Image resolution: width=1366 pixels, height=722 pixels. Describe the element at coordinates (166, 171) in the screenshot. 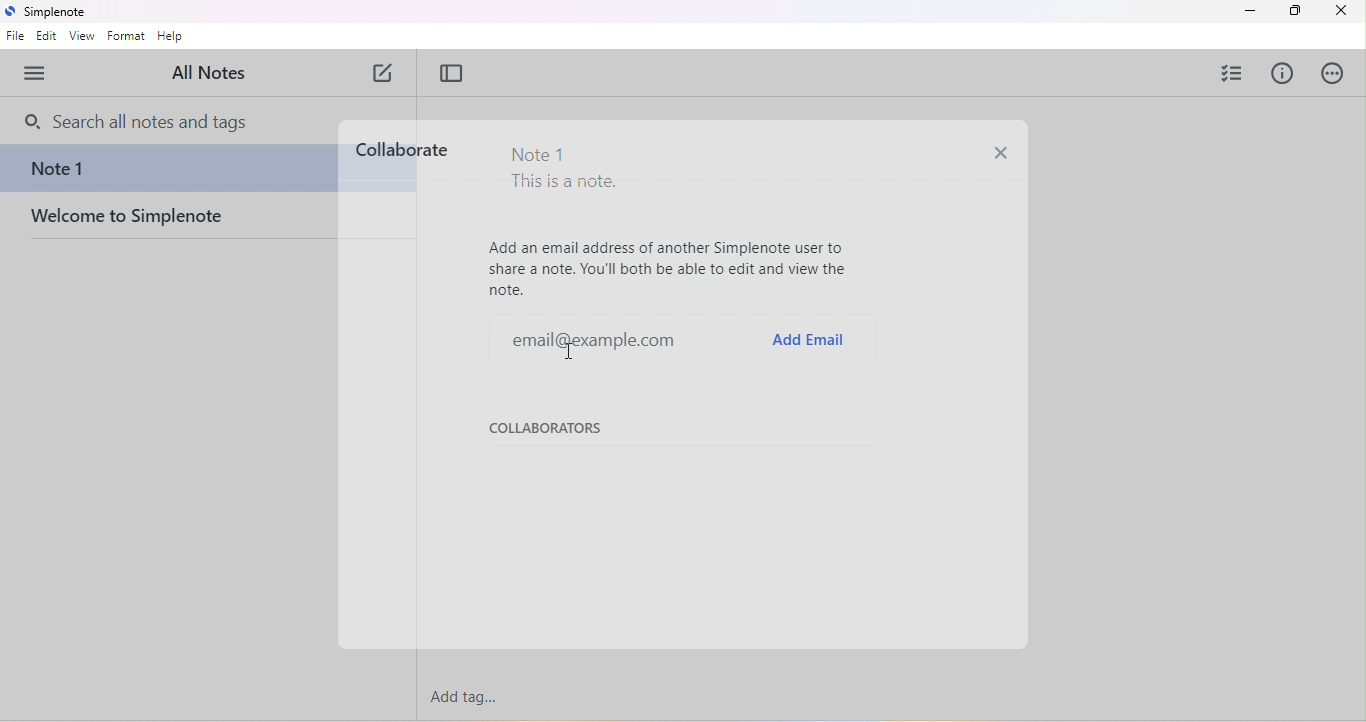

I see `note` at that location.